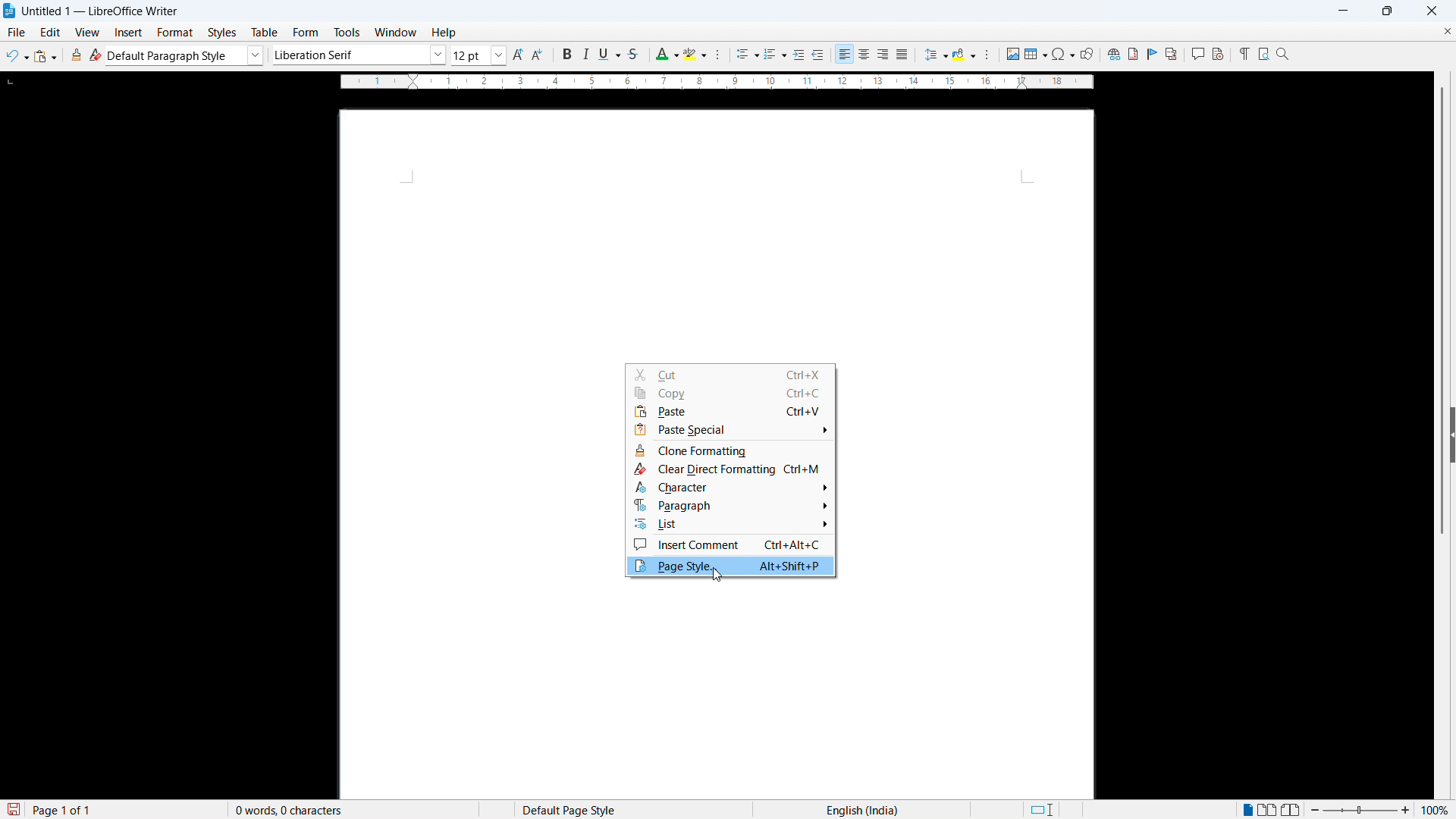  I want to click on Format , so click(175, 32).